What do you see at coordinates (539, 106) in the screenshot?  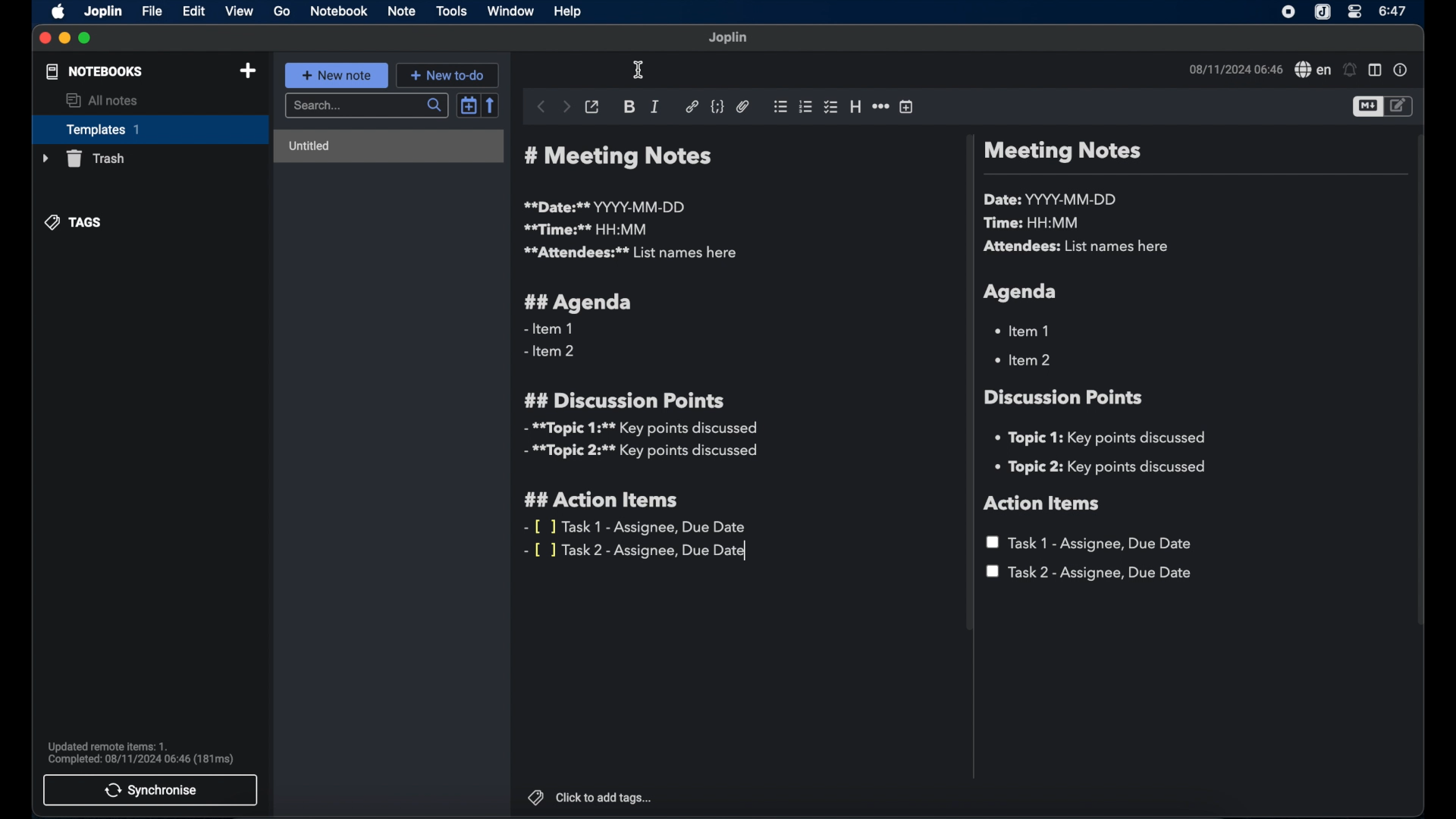 I see `back` at bounding box center [539, 106].